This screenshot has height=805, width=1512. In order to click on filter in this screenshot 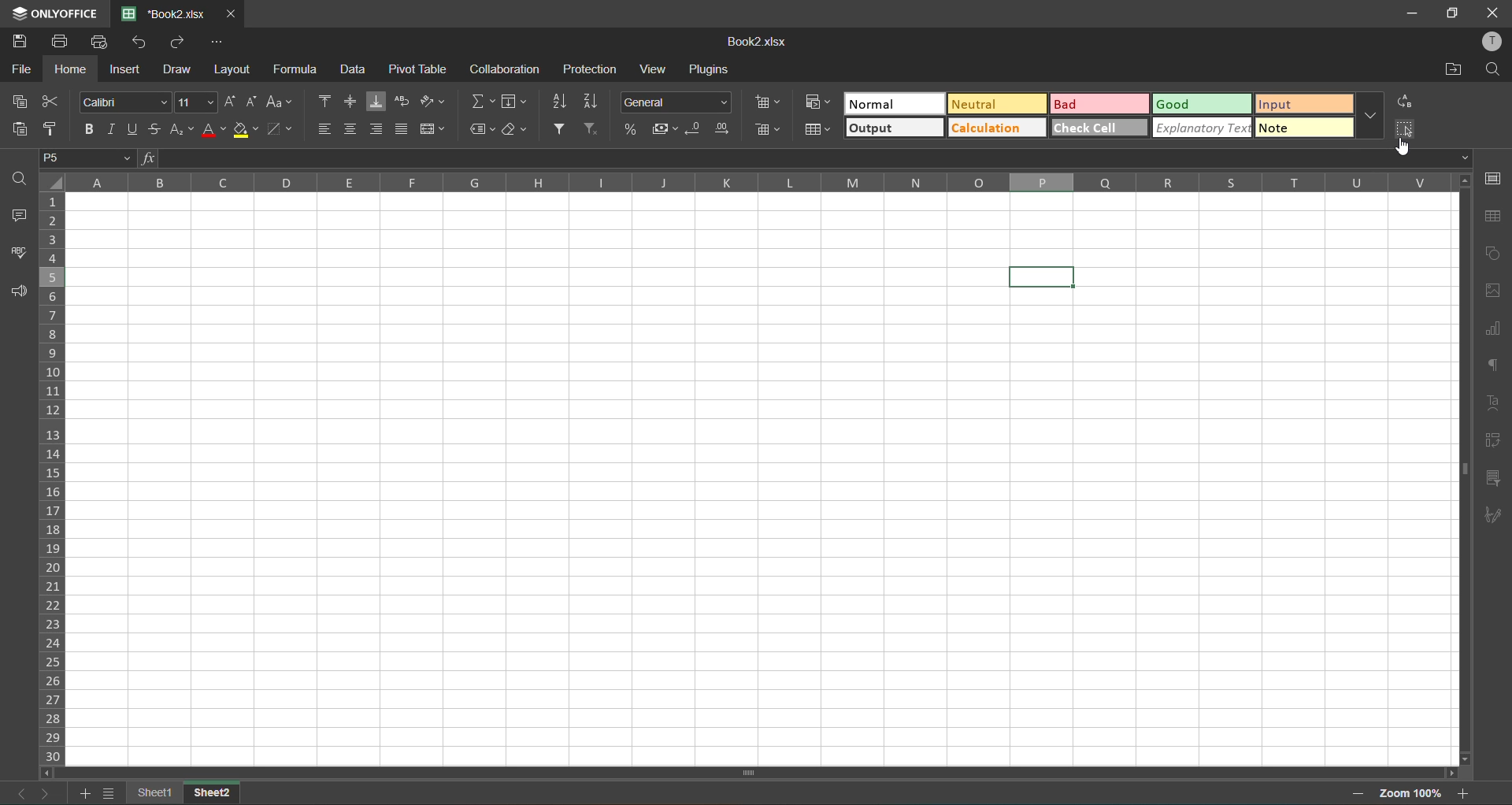, I will do `click(564, 129)`.